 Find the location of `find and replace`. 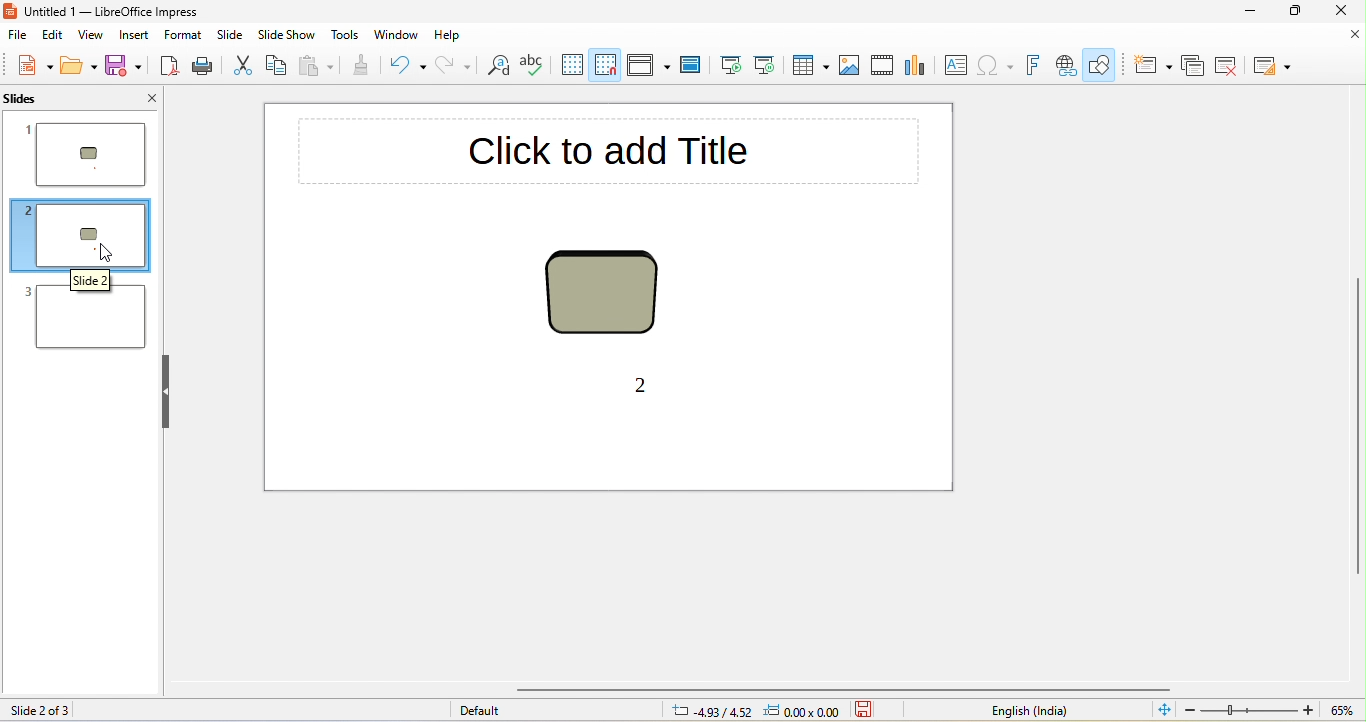

find and replace is located at coordinates (498, 67).